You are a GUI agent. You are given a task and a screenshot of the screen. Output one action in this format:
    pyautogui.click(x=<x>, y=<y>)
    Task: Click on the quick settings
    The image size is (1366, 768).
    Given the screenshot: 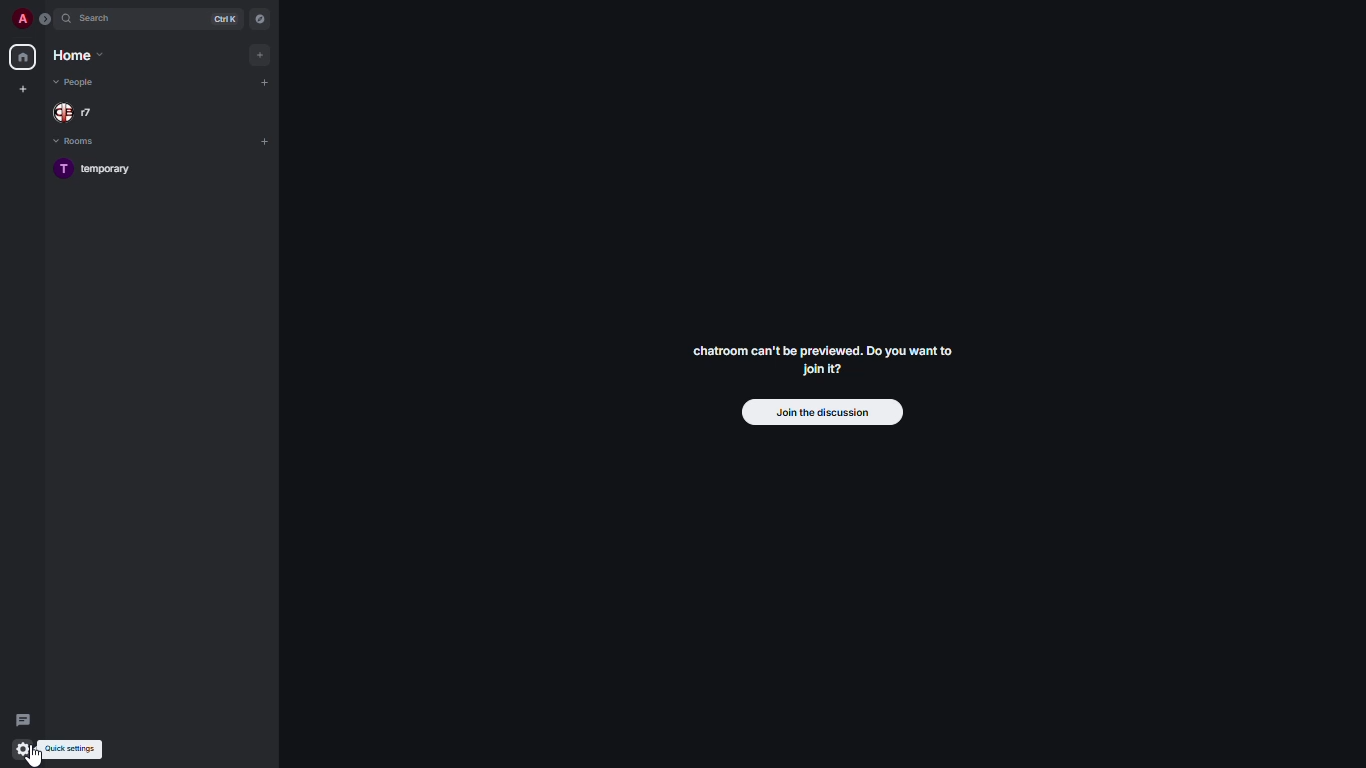 What is the action you would take?
    pyautogui.click(x=22, y=750)
    